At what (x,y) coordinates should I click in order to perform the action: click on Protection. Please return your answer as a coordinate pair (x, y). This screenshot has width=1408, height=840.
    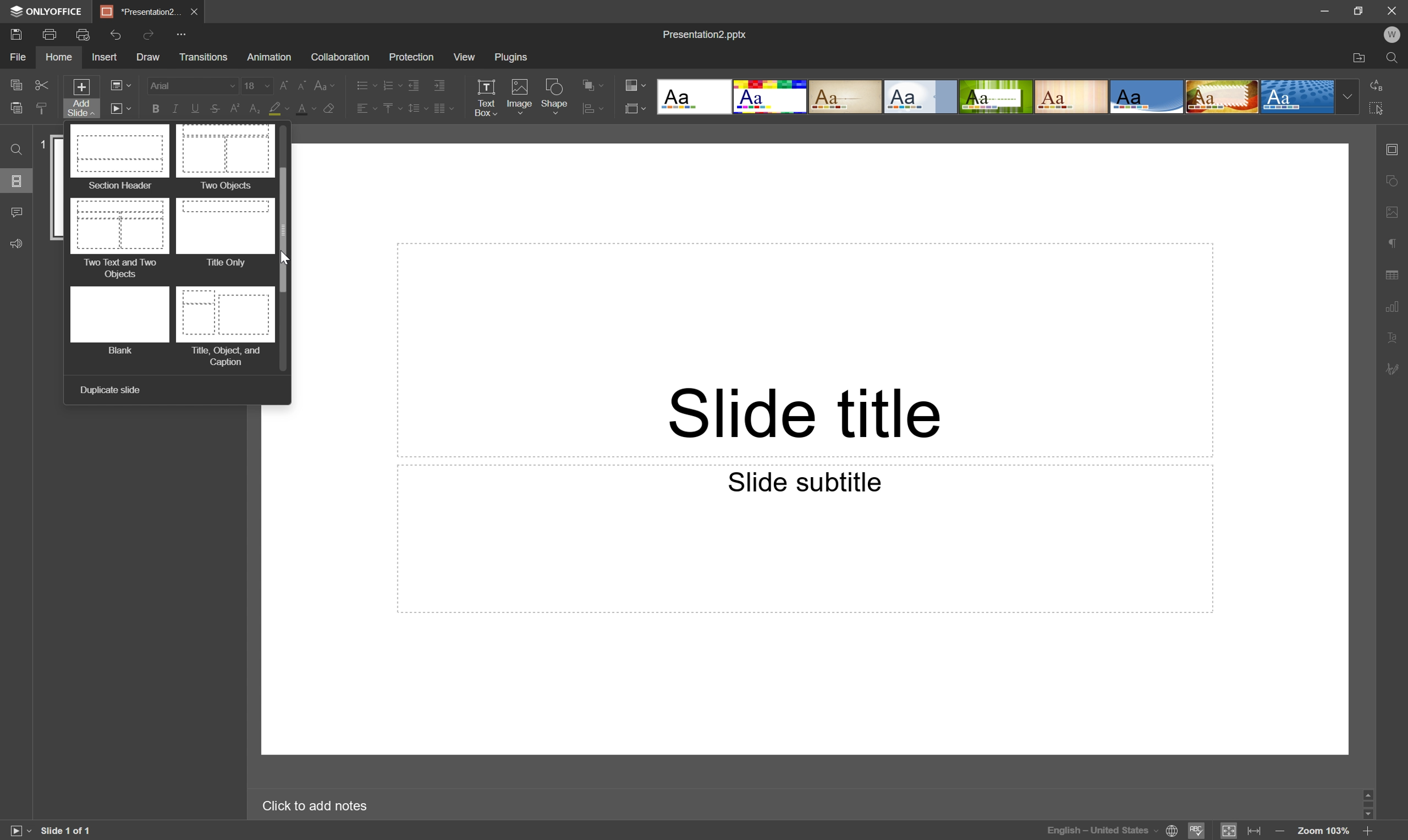
    Looking at the image, I should click on (409, 56).